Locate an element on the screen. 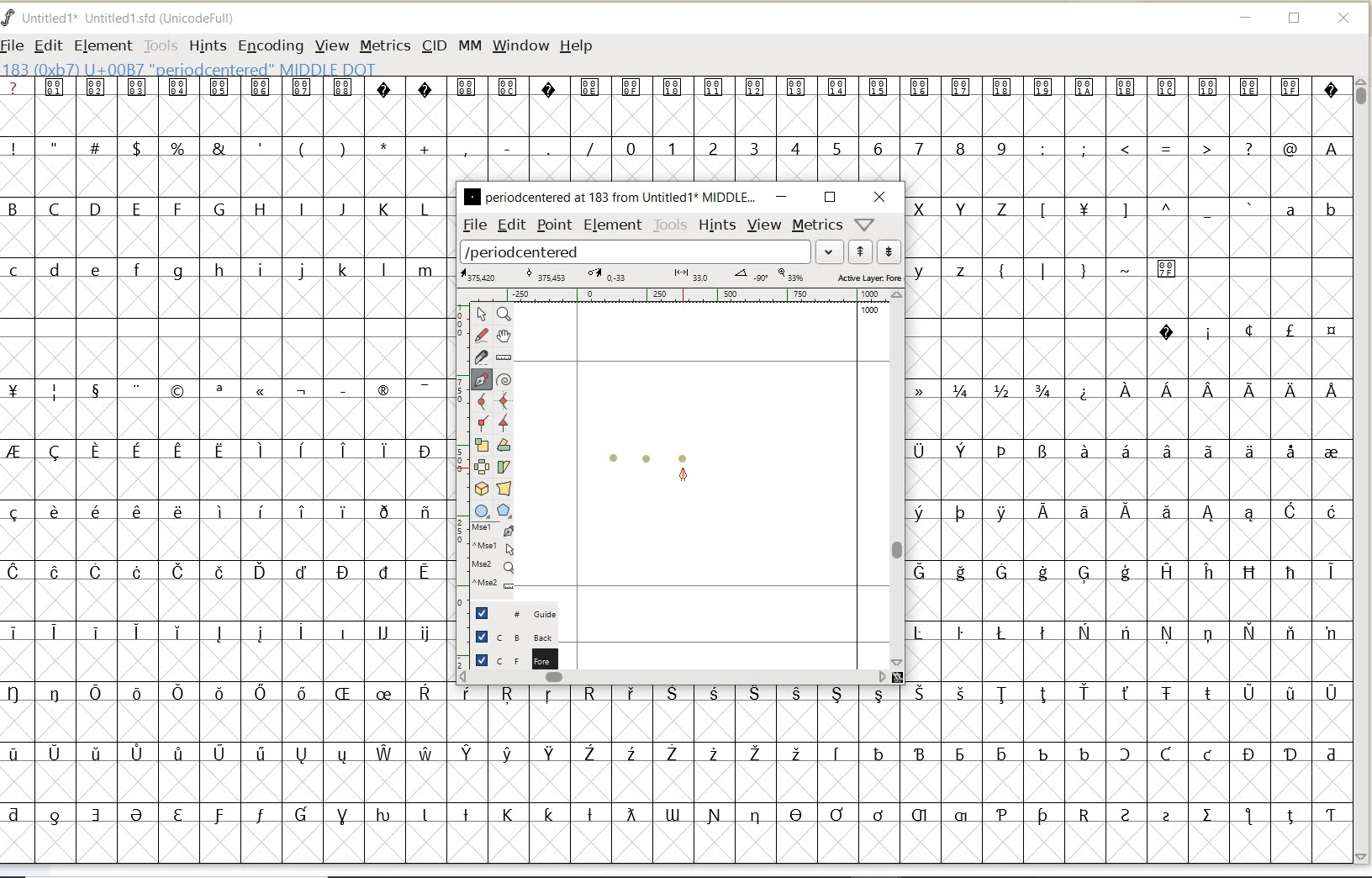 The width and height of the screenshot is (1372, 878). RESTORE is located at coordinates (1295, 21).